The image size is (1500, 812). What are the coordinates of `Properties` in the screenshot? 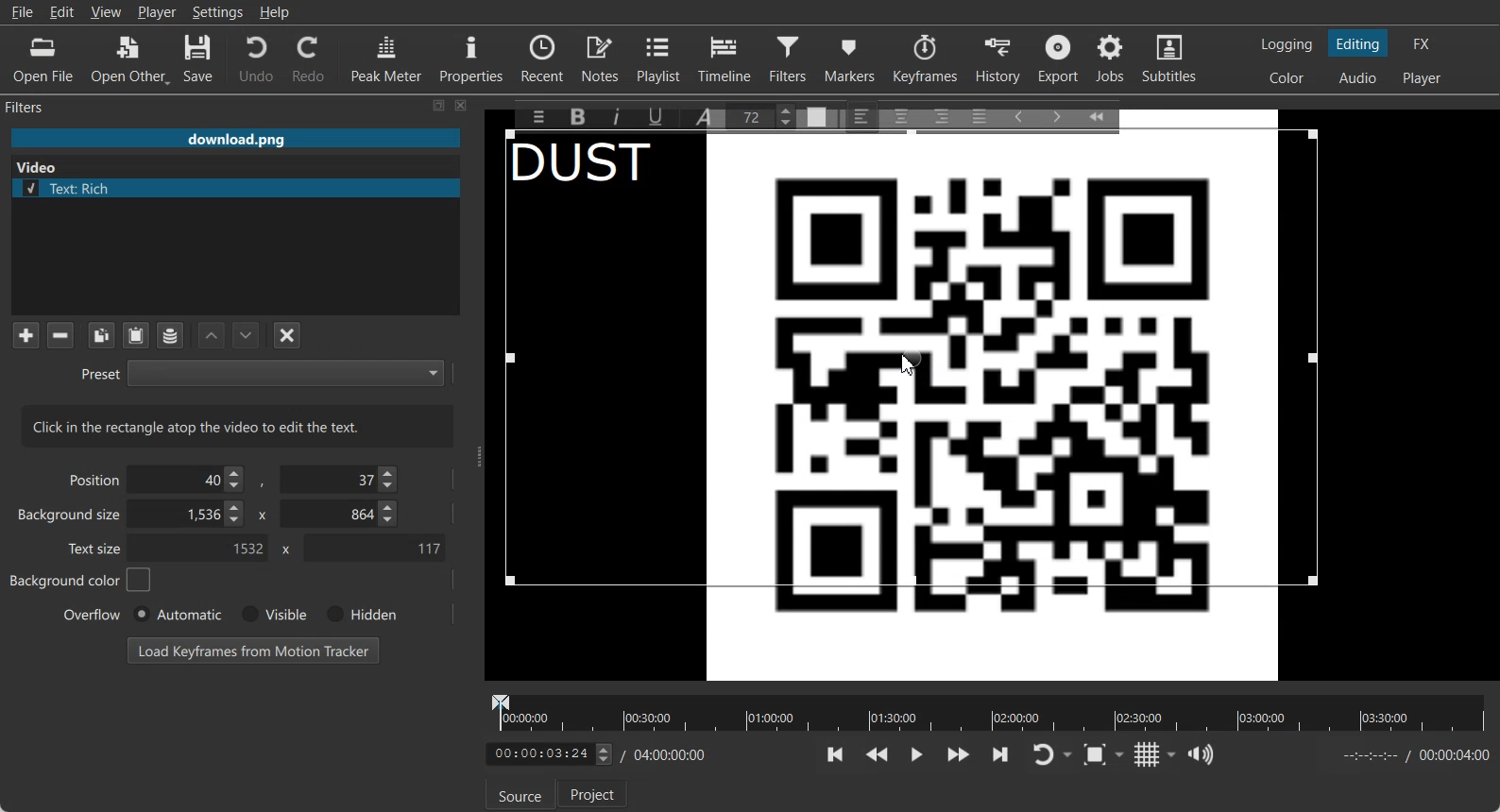 It's located at (471, 57).